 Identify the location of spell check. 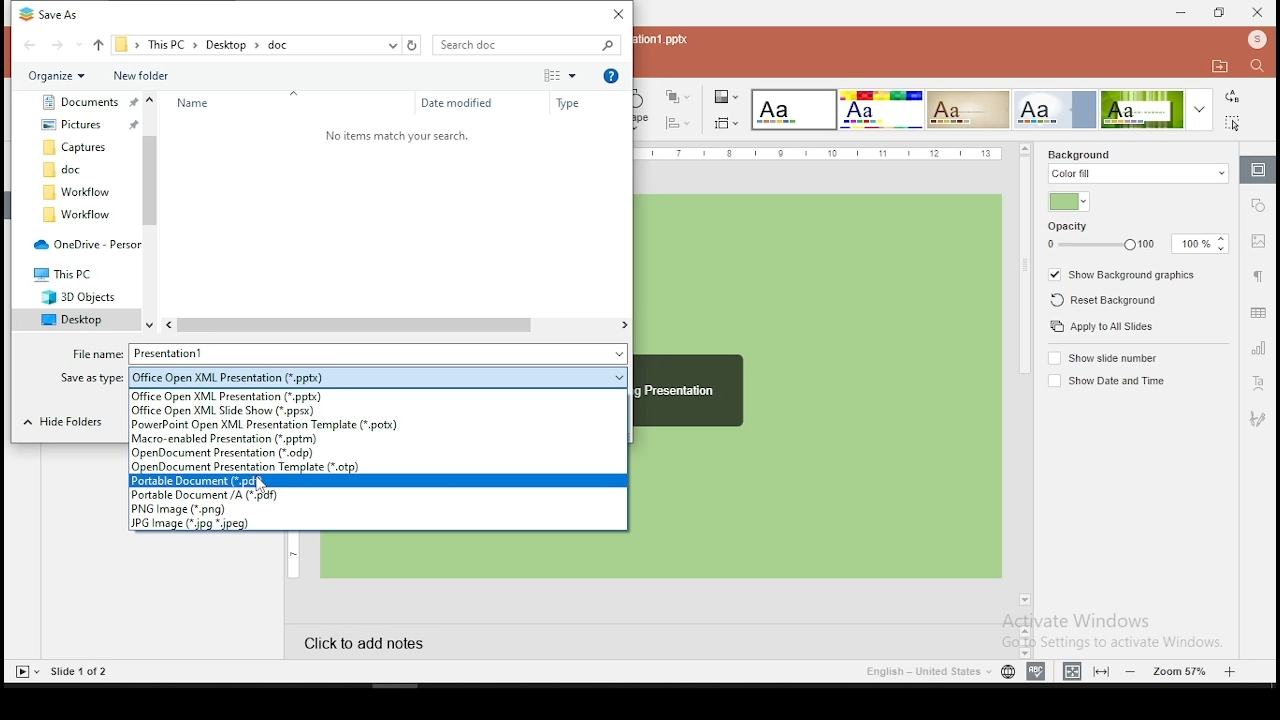
(1036, 669).